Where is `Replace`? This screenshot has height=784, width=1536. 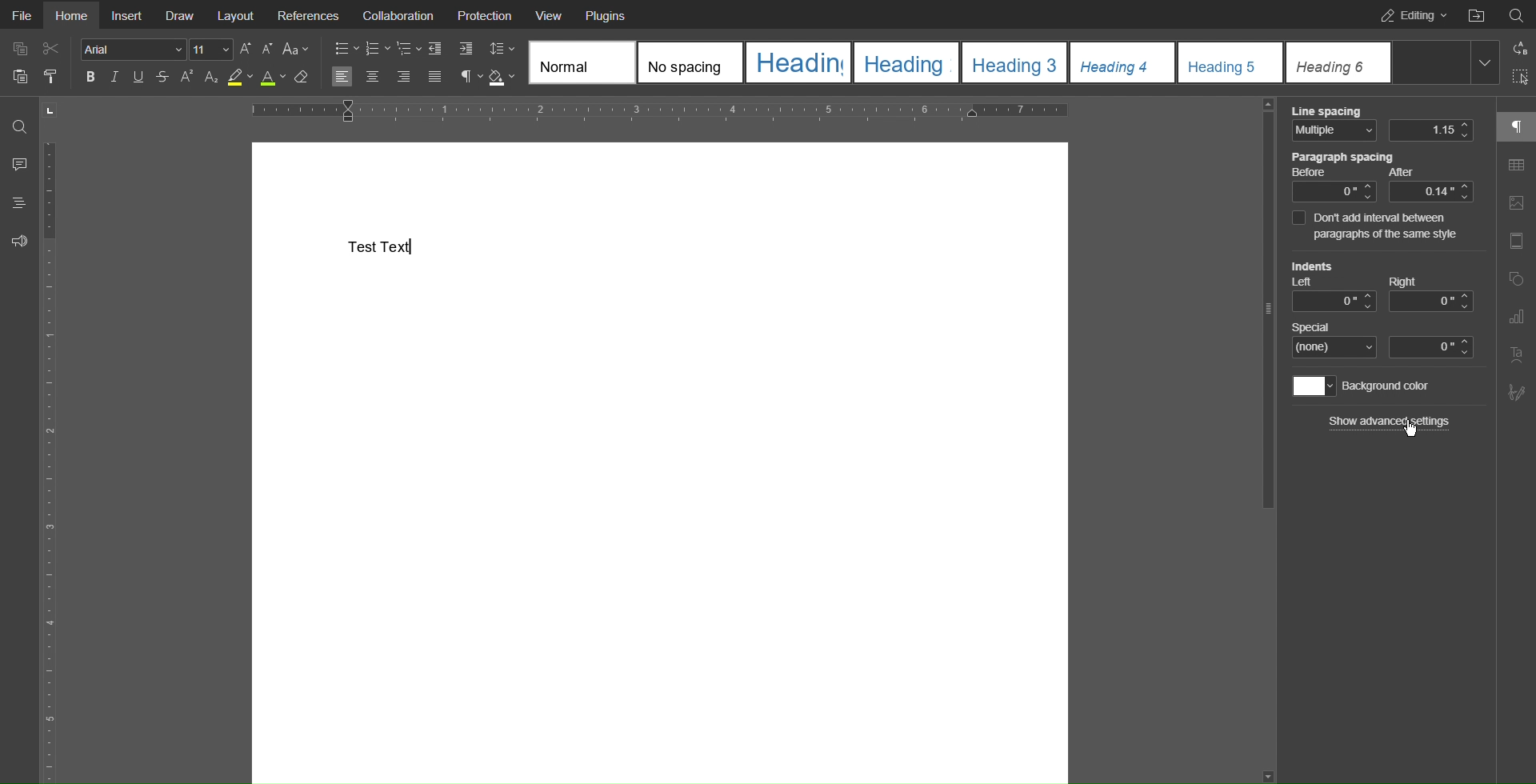 Replace is located at coordinates (1518, 48).